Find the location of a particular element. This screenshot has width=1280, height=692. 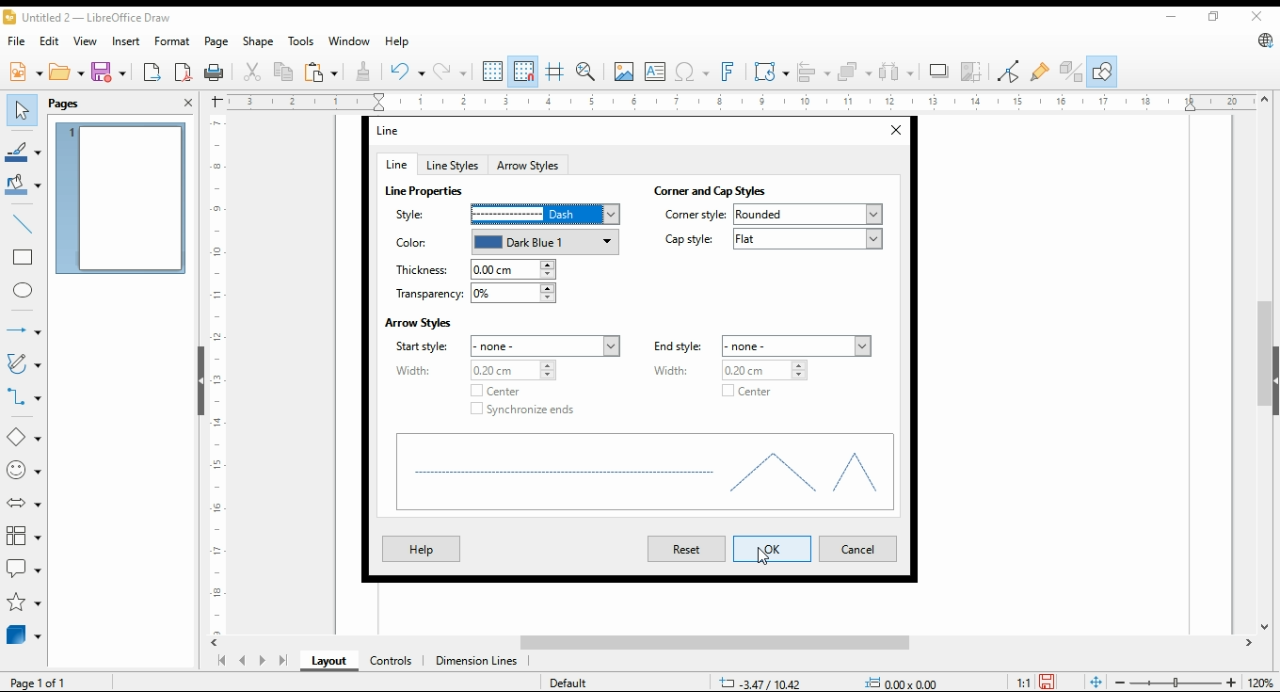

line is located at coordinates (395, 164).